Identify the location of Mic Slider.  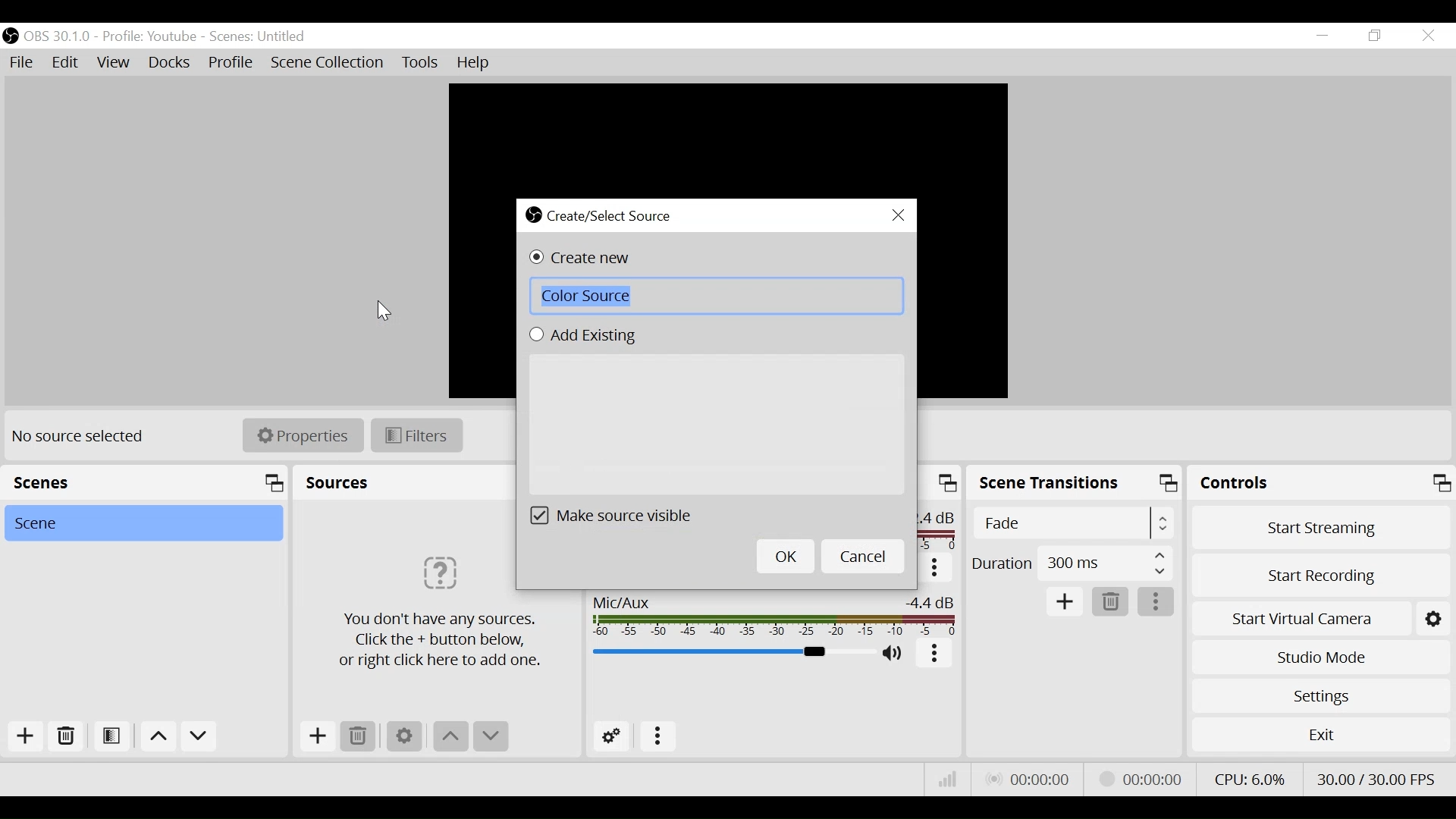
(731, 652).